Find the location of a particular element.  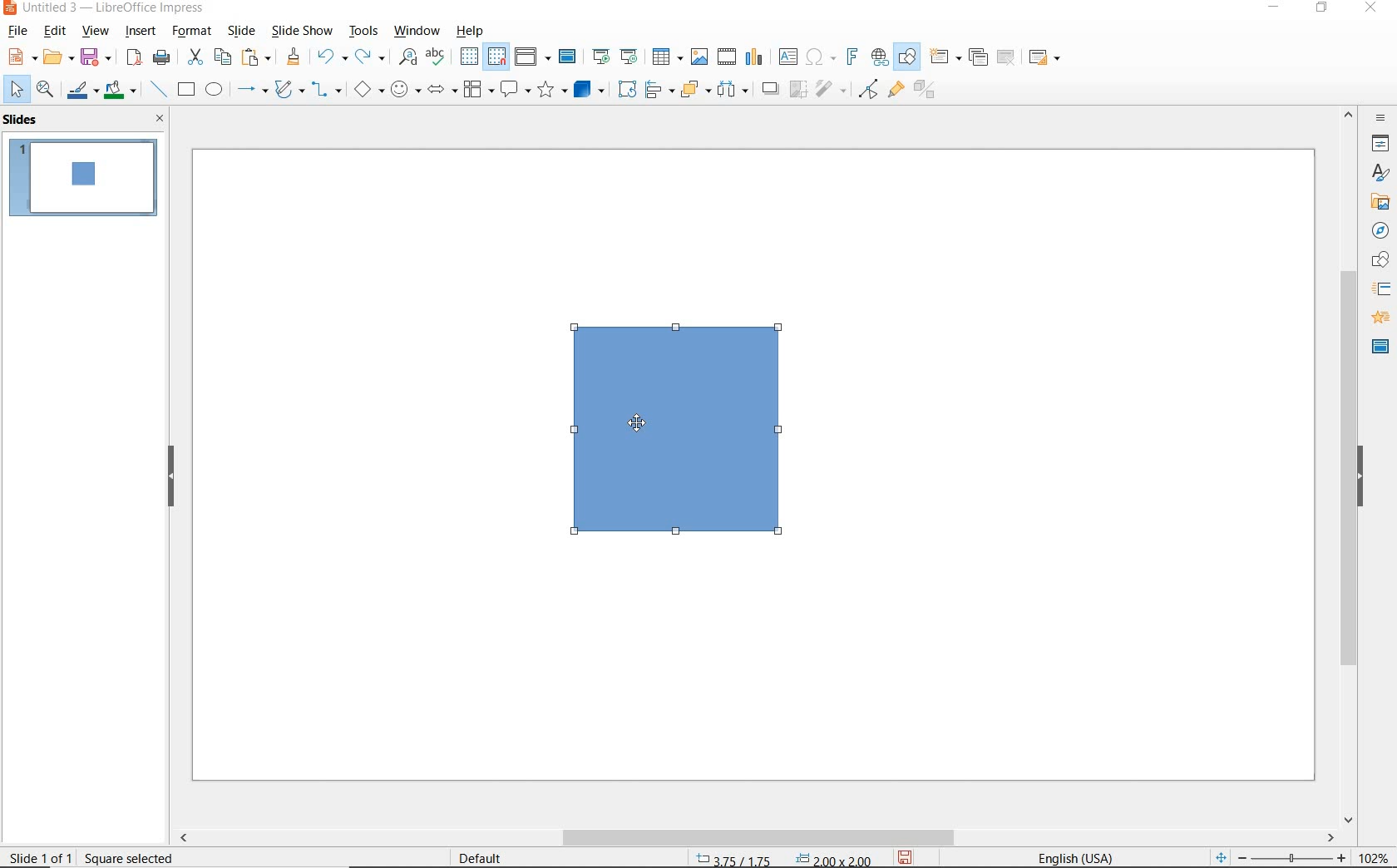

tools is located at coordinates (365, 32).